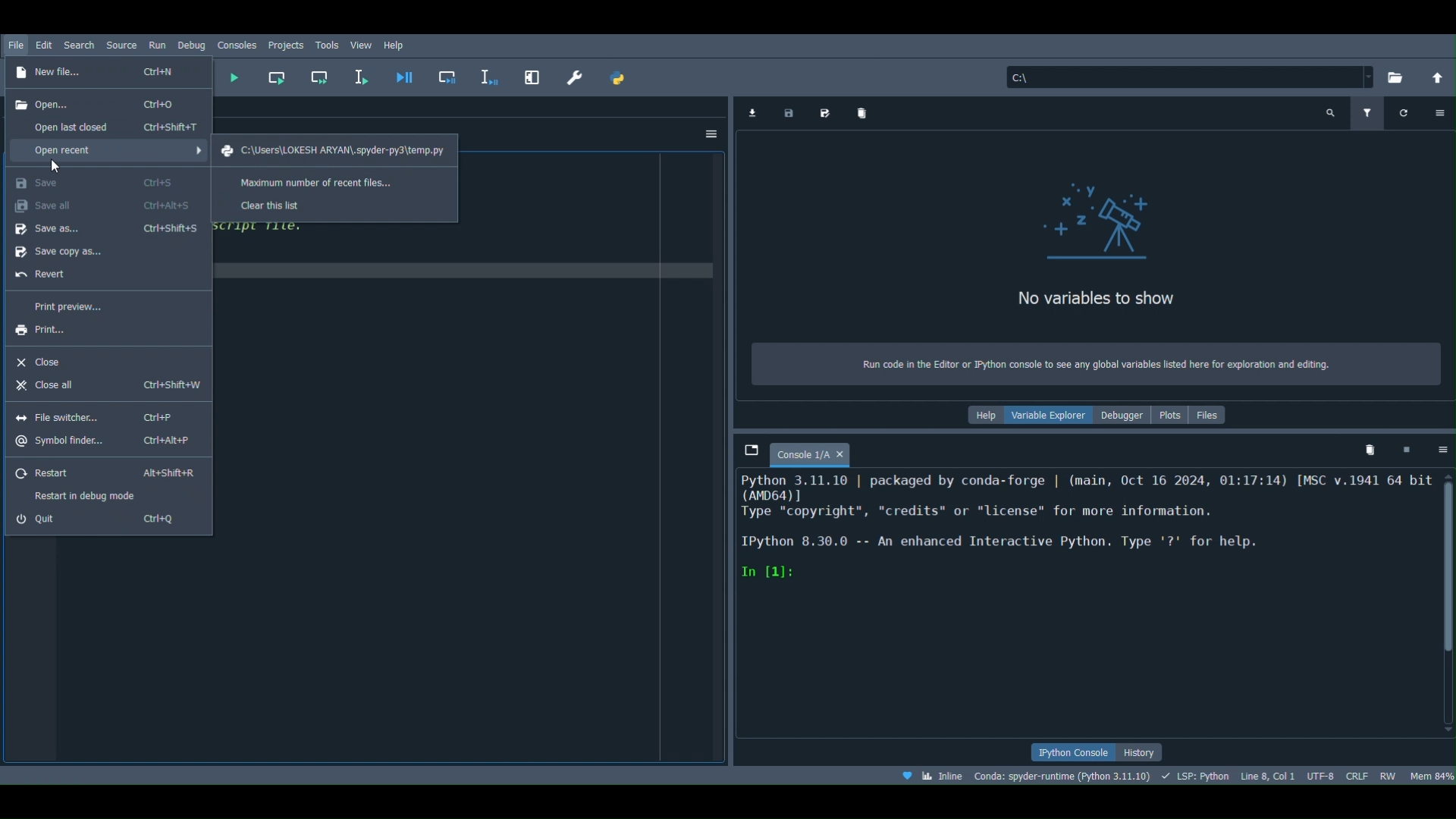 The width and height of the screenshot is (1456, 819). I want to click on Plots, so click(1166, 416).